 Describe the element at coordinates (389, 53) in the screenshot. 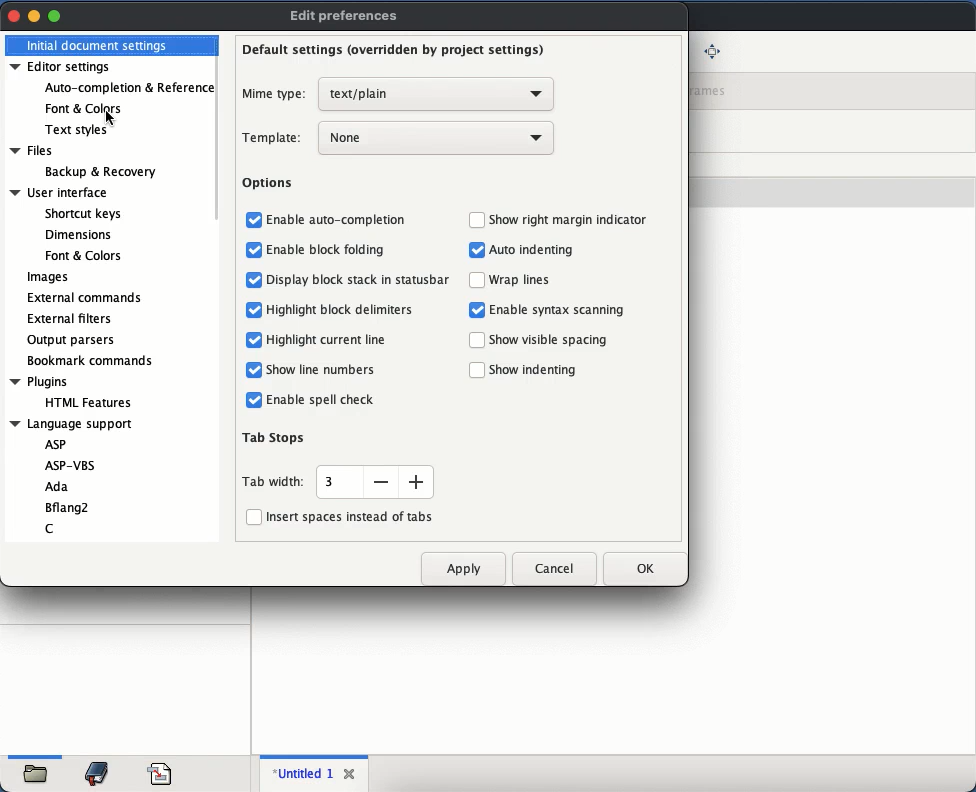

I see `default settings` at that location.